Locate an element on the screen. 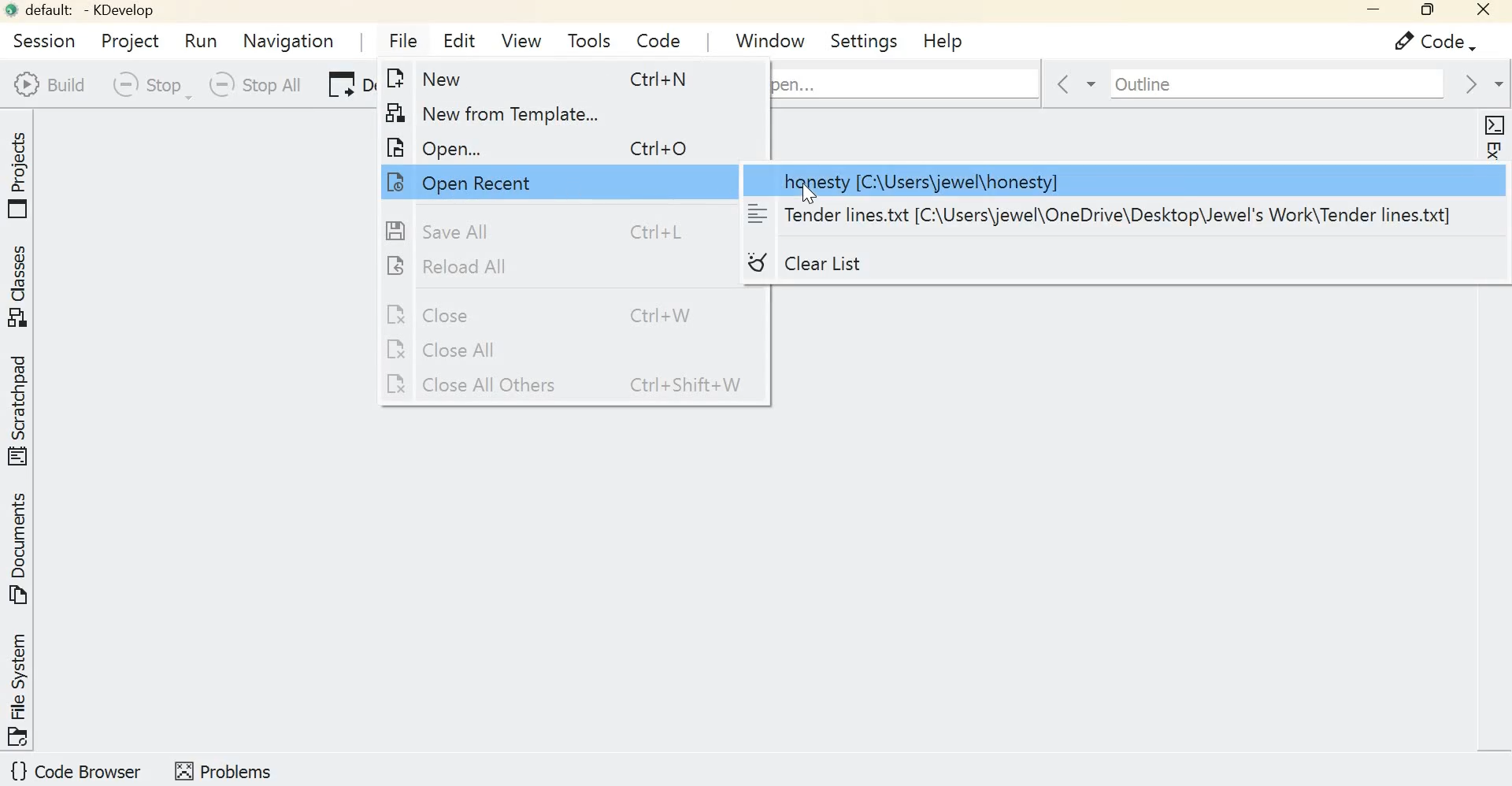 This screenshot has height=786, width=1512. New is located at coordinates (561, 80).